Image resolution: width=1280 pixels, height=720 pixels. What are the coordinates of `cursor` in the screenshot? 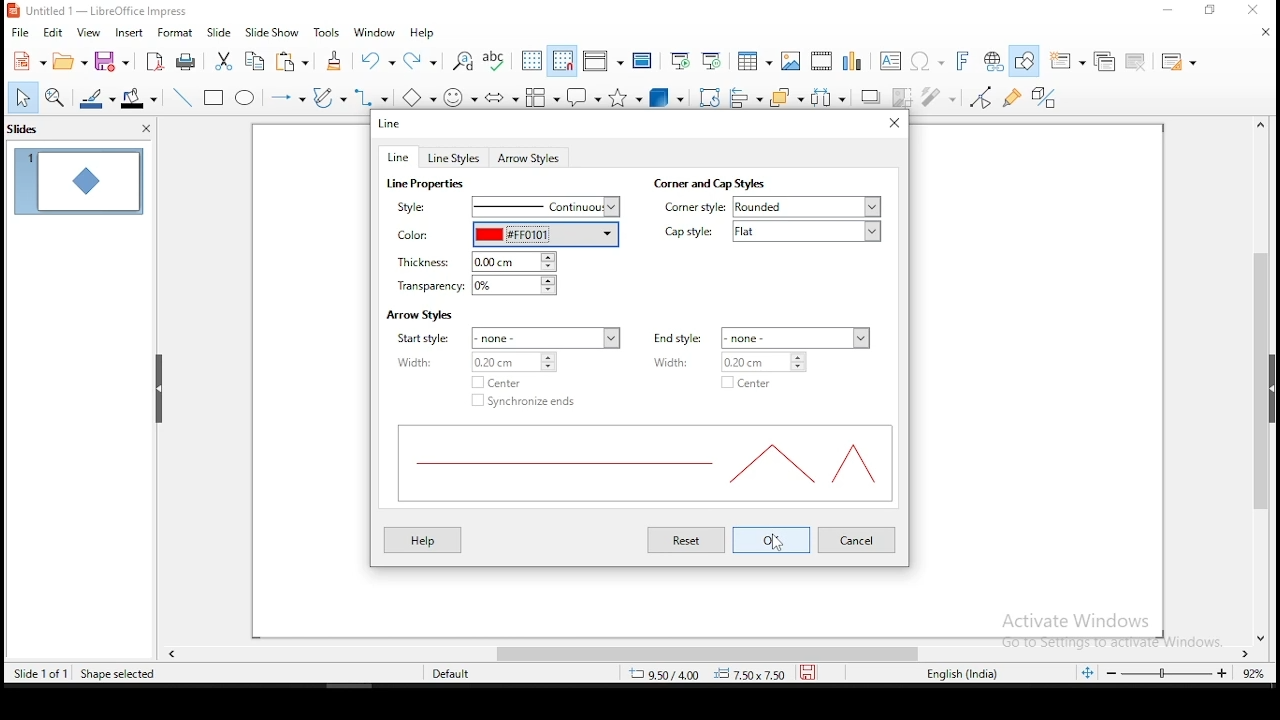 It's located at (774, 548).